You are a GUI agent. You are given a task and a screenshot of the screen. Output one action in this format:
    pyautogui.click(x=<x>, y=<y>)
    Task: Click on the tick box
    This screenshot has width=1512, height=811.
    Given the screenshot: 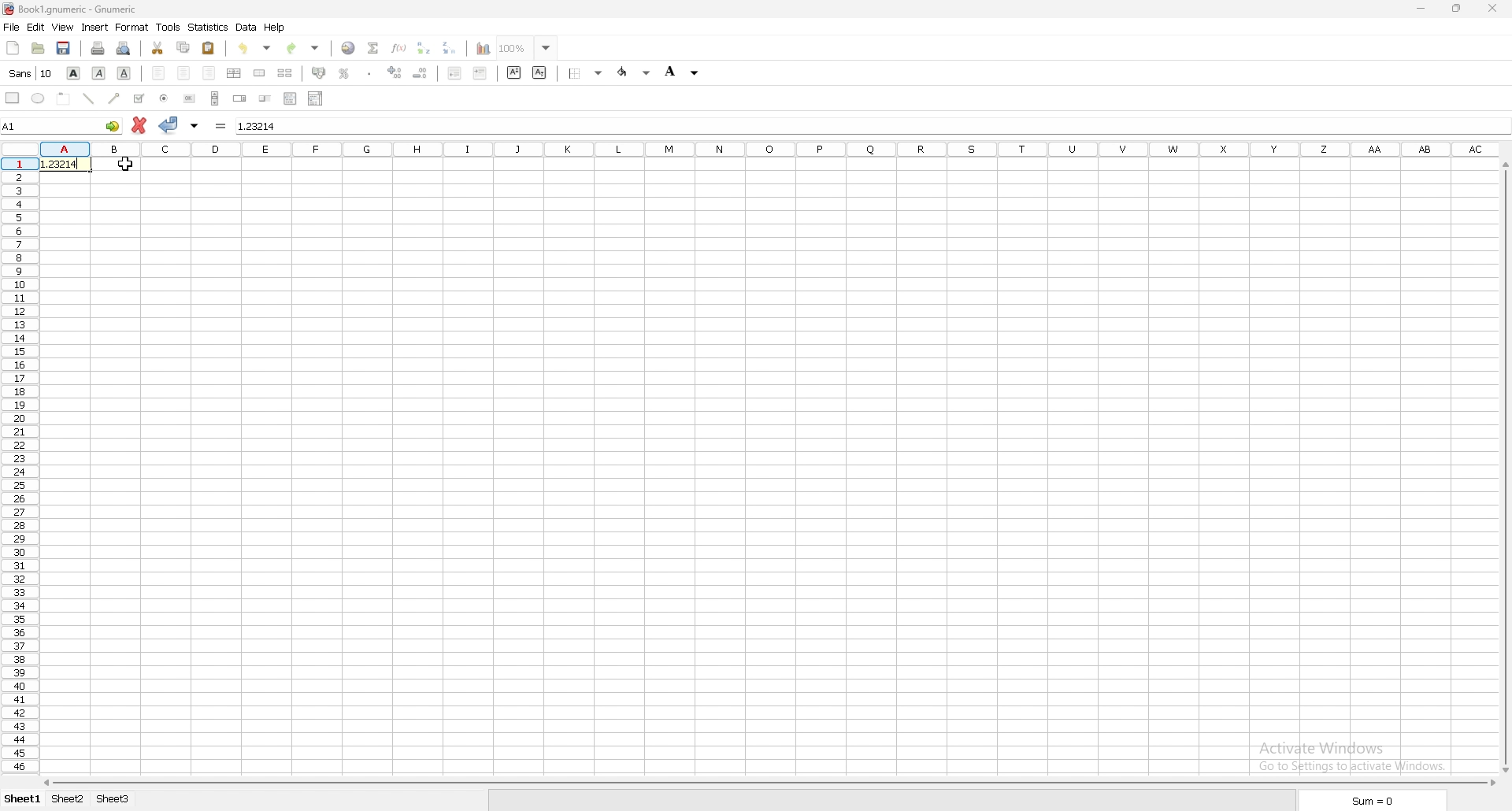 What is the action you would take?
    pyautogui.click(x=138, y=98)
    